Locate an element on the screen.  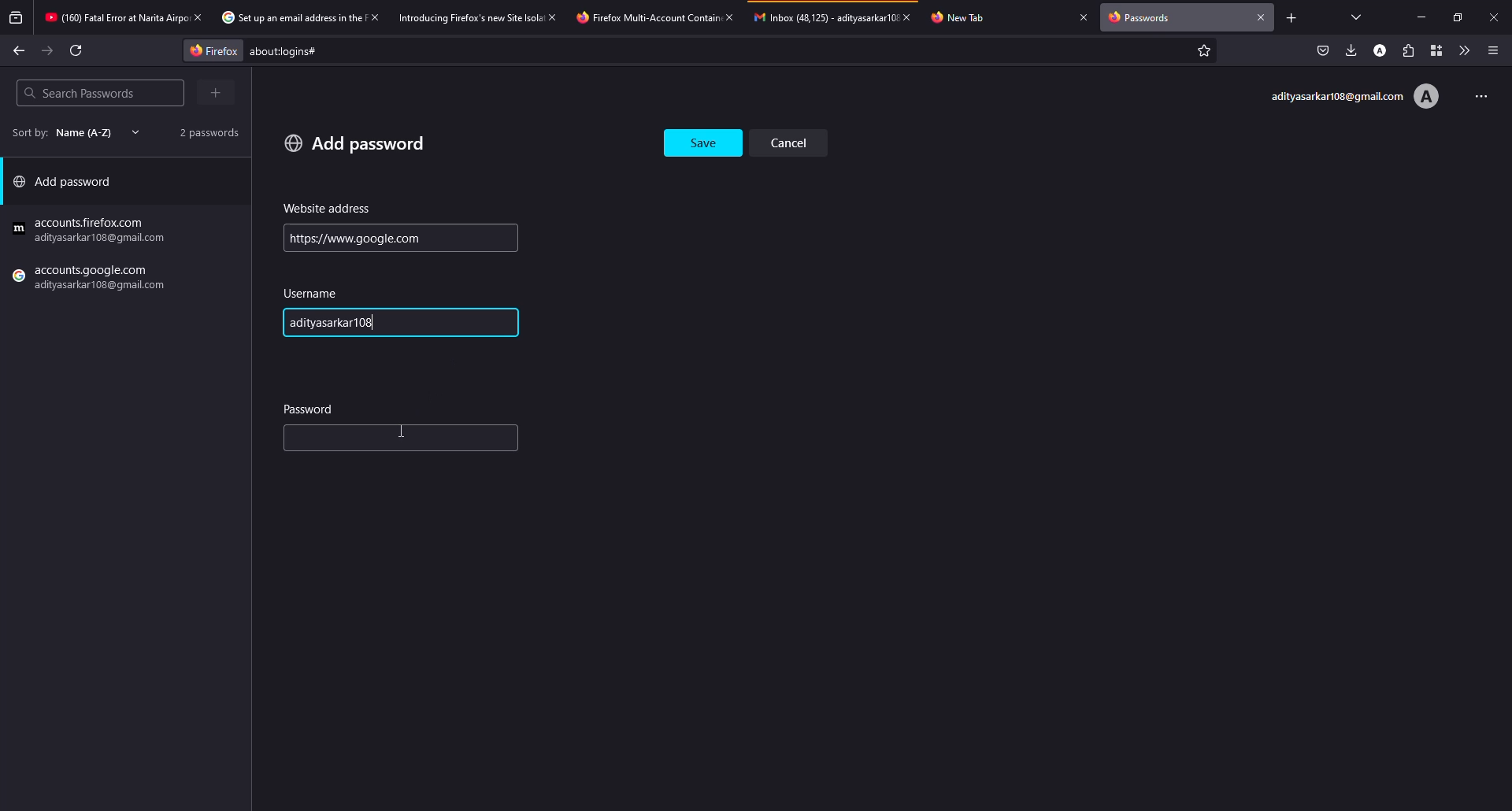
menu is located at coordinates (1493, 50).